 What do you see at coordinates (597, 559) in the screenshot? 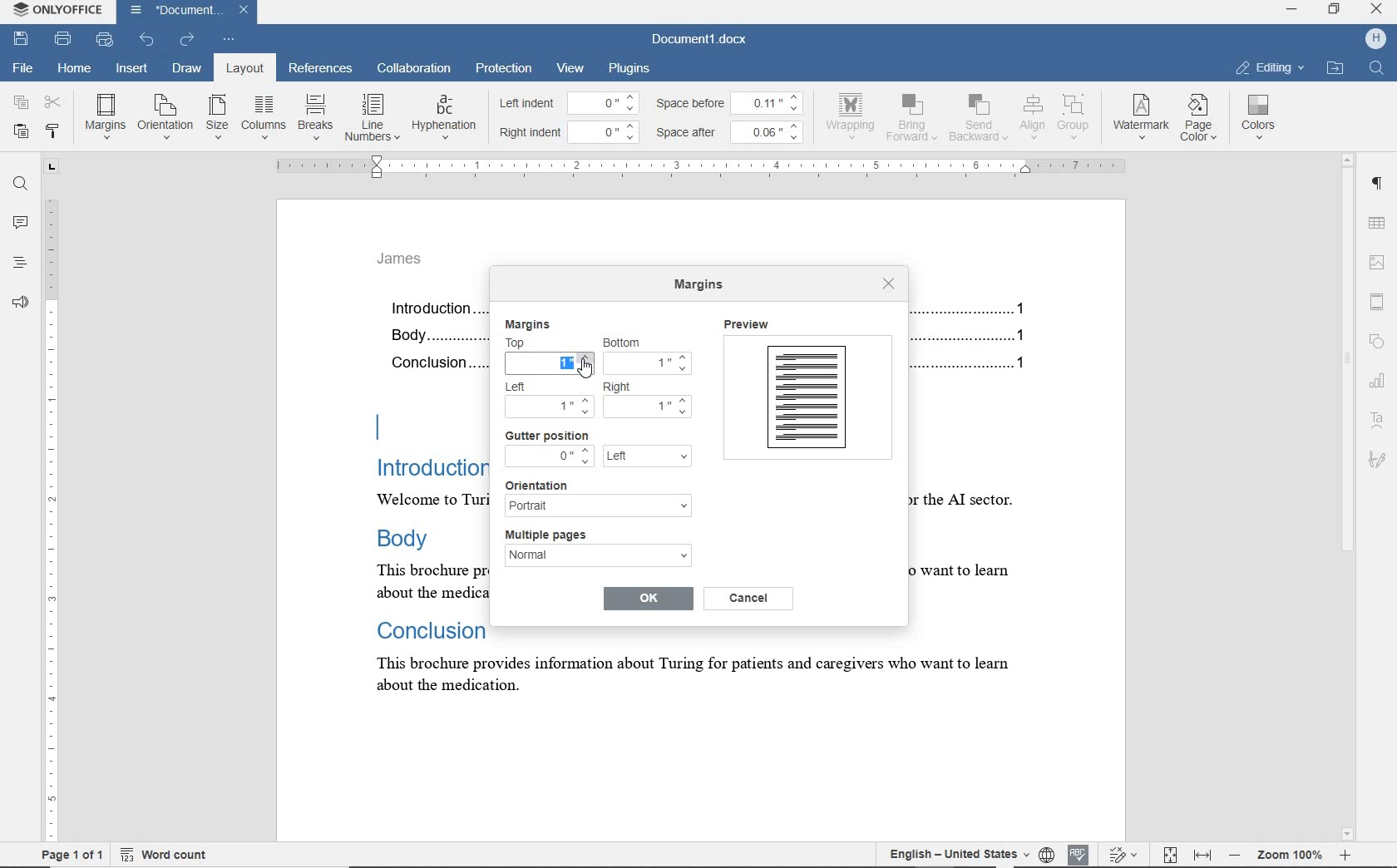
I see `normal` at bounding box center [597, 559].